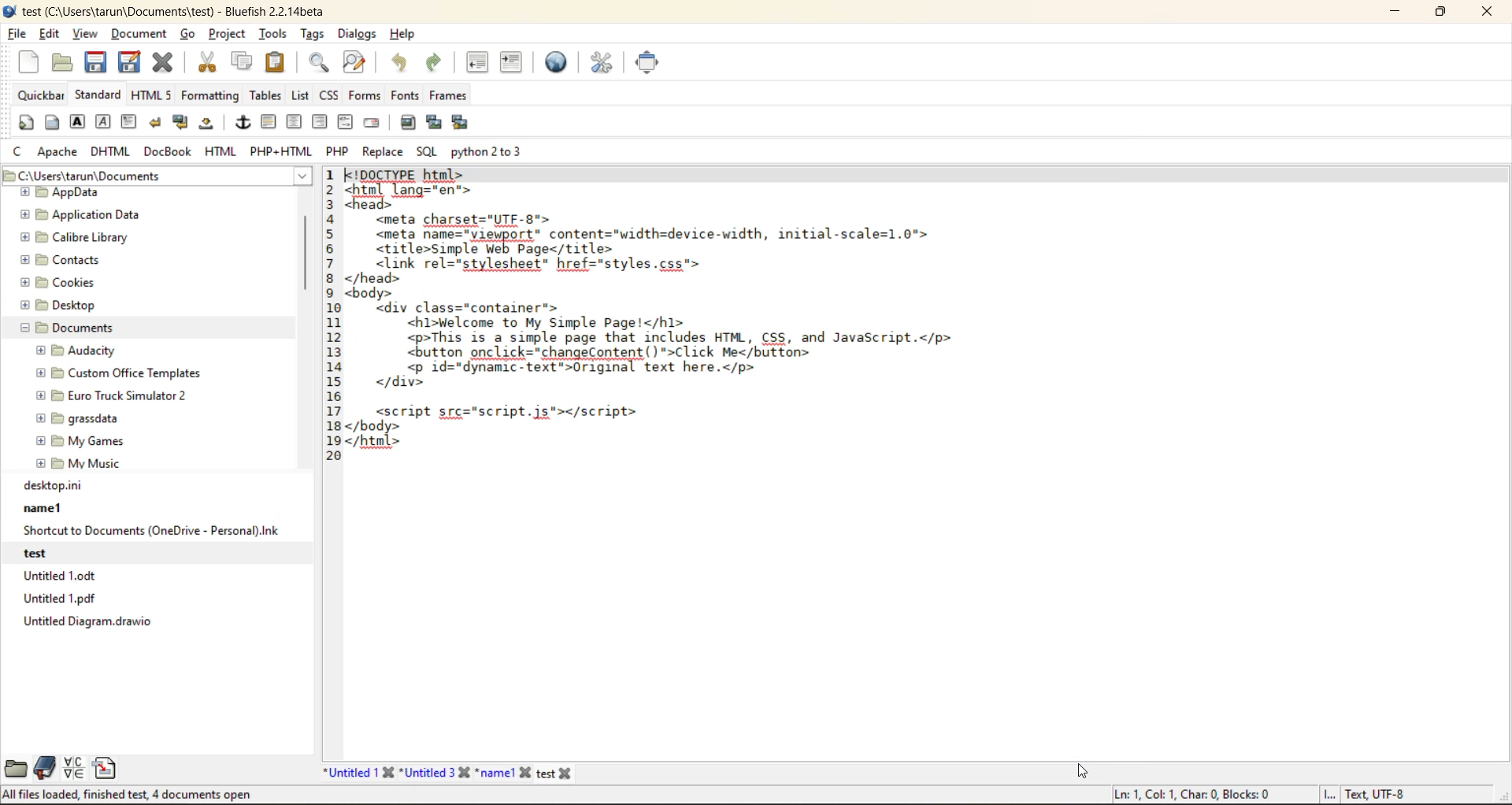  Describe the element at coordinates (269, 122) in the screenshot. I see `horizontal rule` at that location.